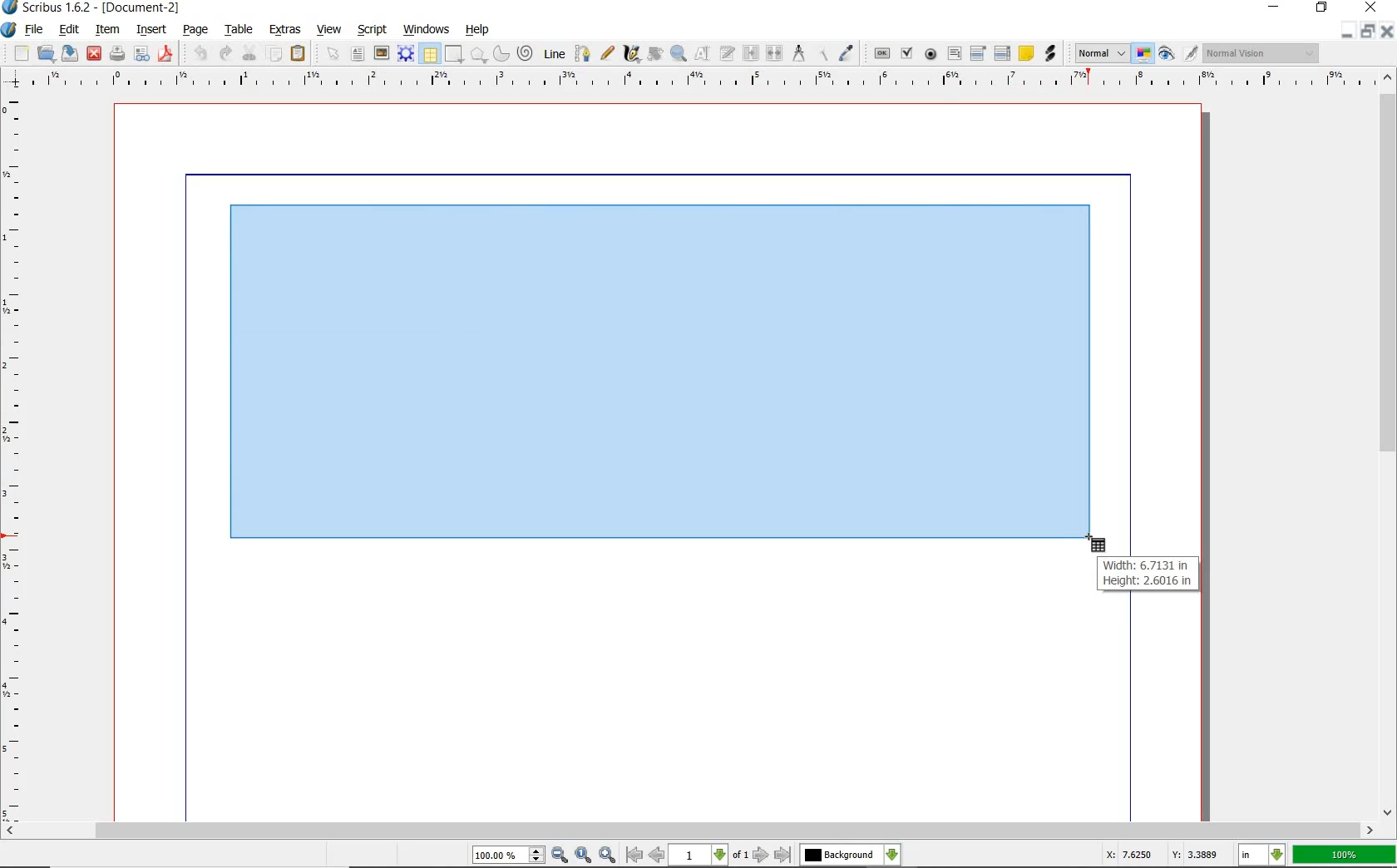 The height and width of the screenshot is (868, 1397). I want to click on item, so click(111, 31).